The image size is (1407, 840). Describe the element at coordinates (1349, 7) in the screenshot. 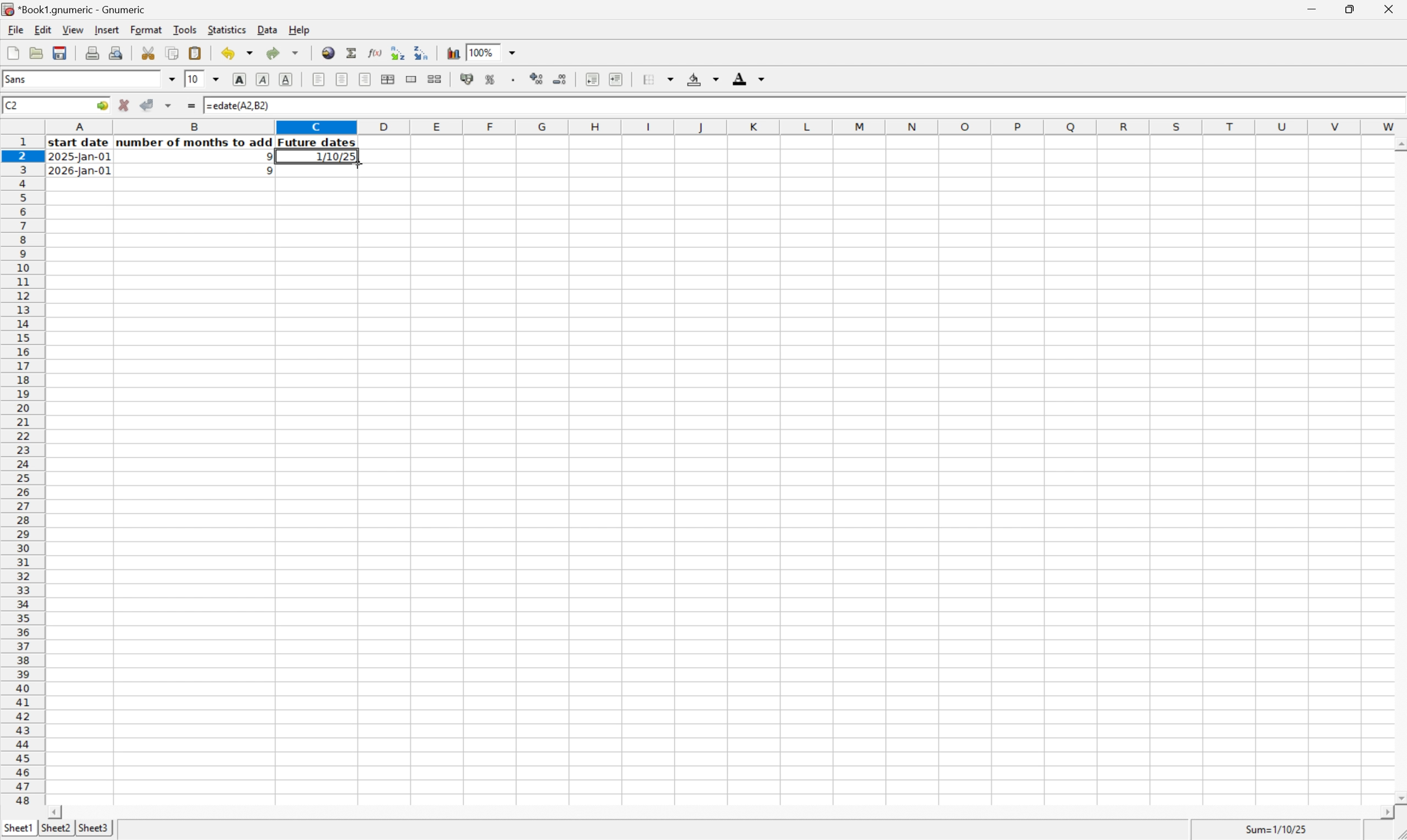

I see `Restore Down` at that location.